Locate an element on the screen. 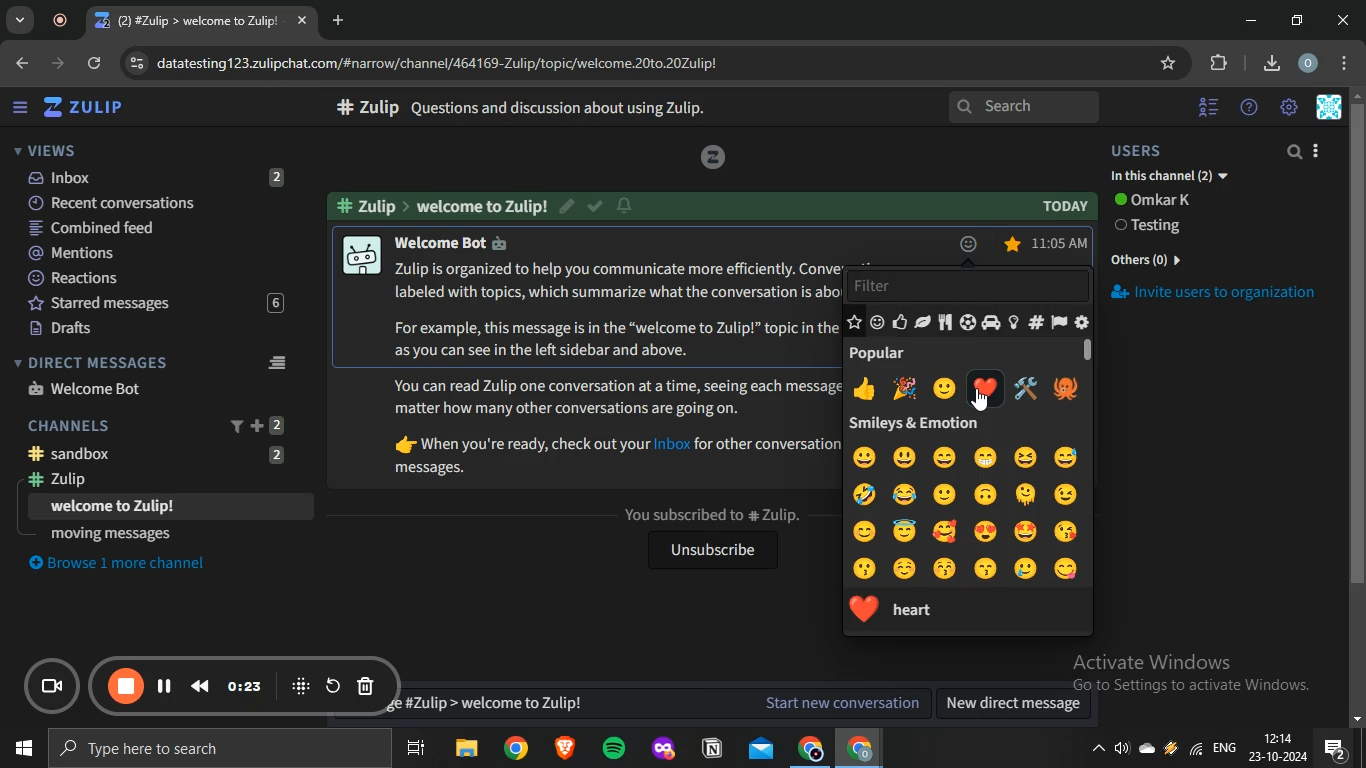 Image resolution: width=1366 pixels, height=768 pixels. inbox is located at coordinates (153, 177).